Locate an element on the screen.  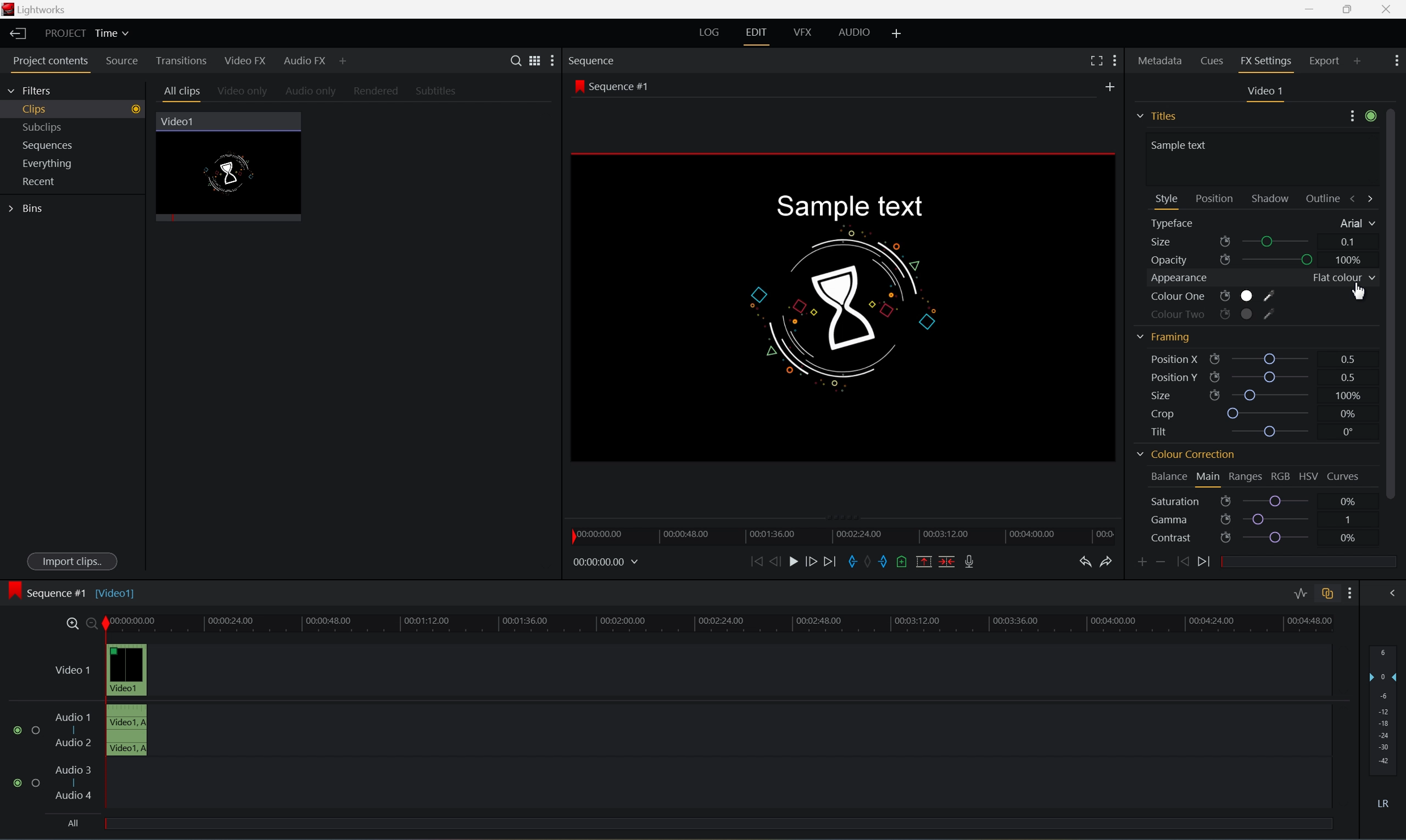
Subclips is located at coordinates (45, 125).